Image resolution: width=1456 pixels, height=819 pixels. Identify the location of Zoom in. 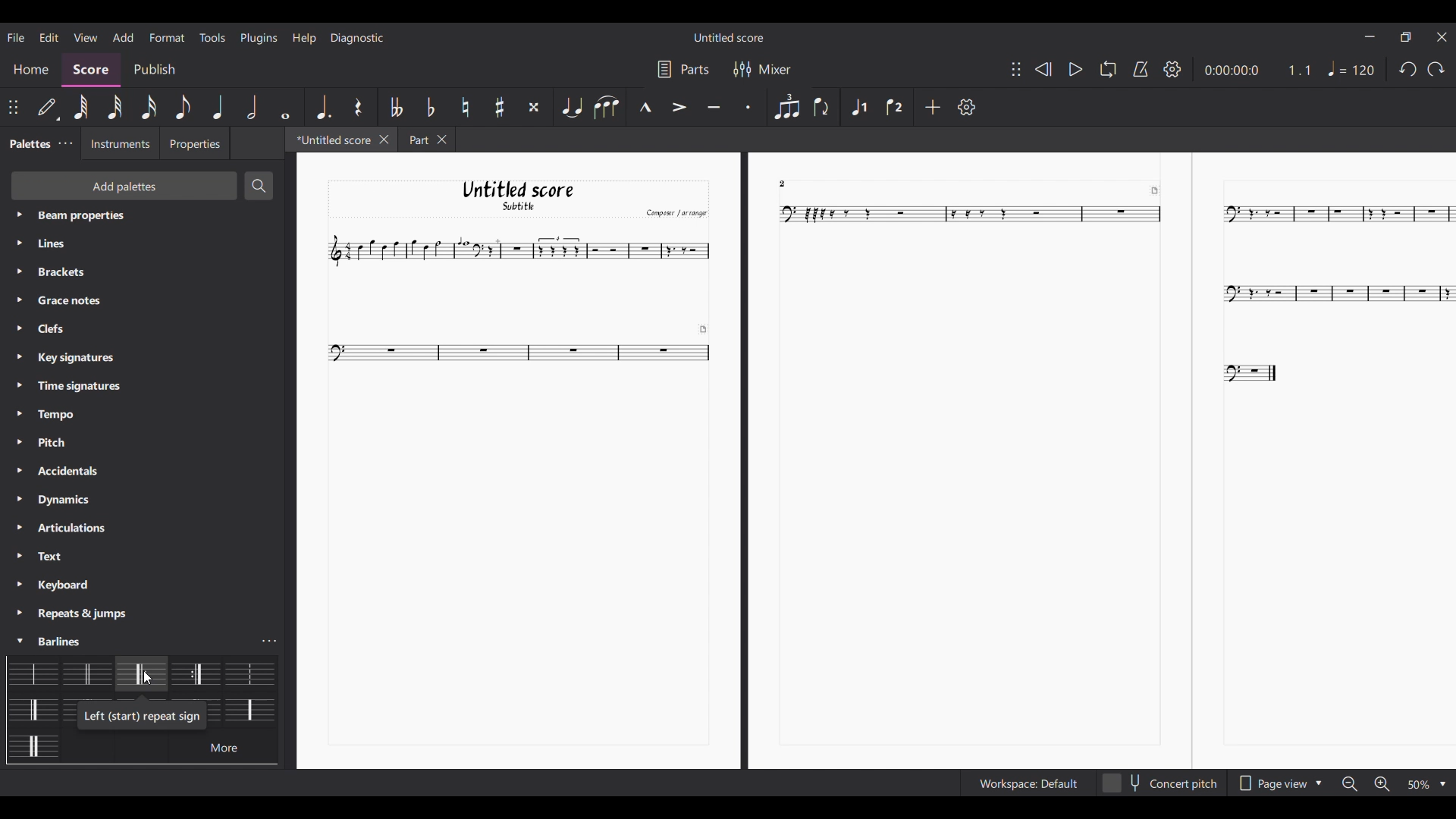
(1382, 783).